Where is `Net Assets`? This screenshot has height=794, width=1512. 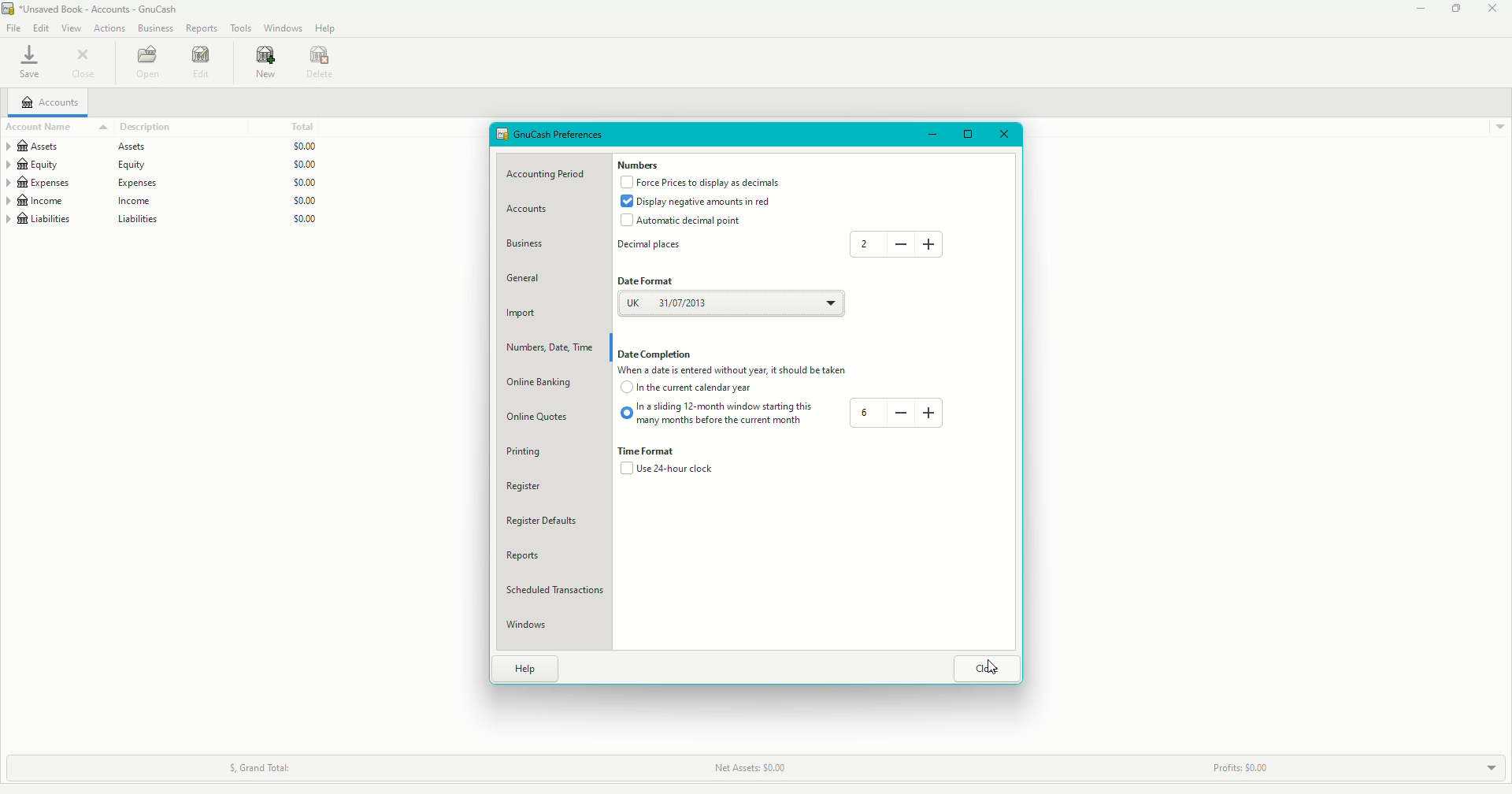 Net Assets is located at coordinates (752, 767).